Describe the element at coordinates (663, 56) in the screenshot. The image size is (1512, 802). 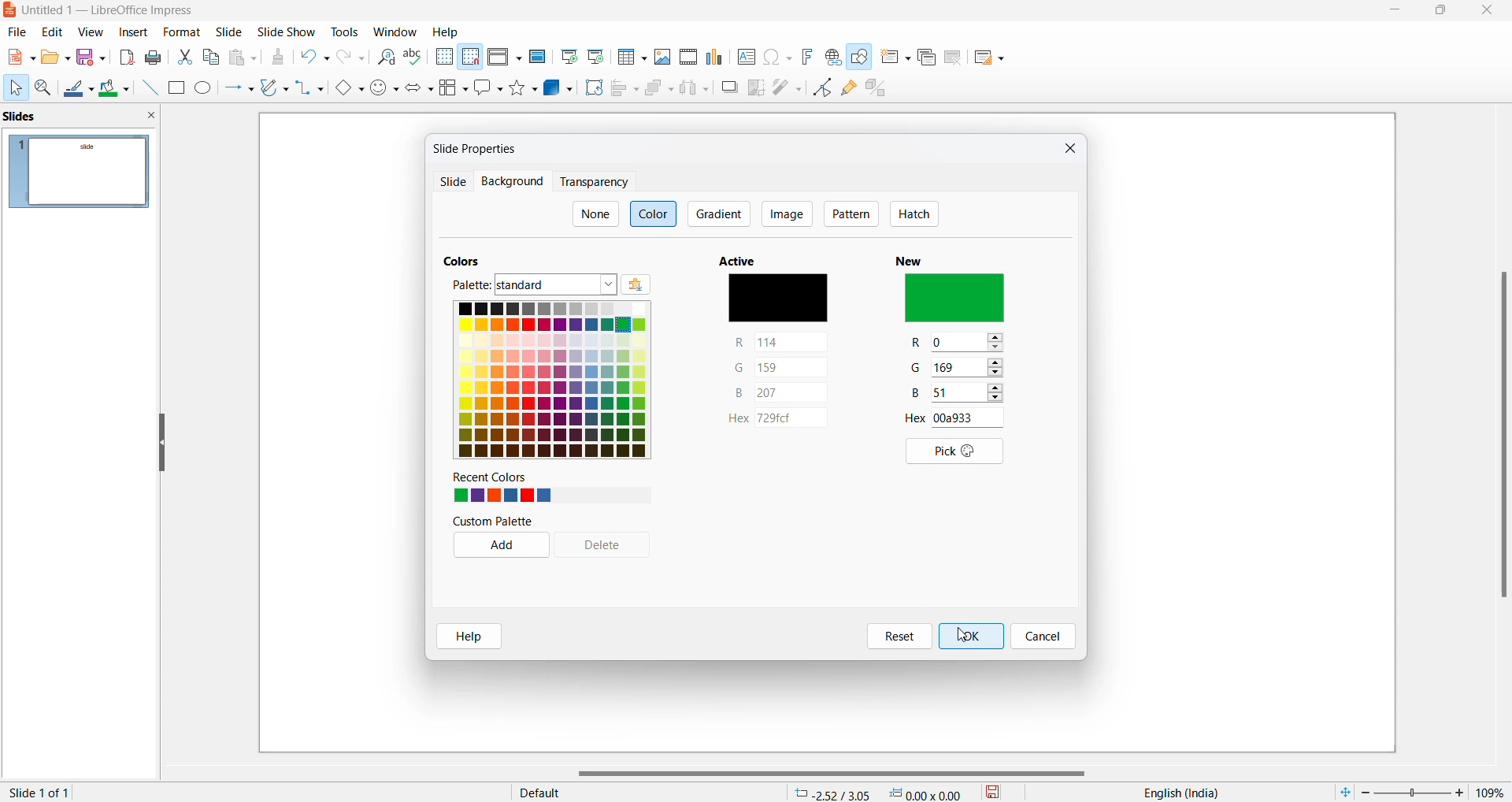
I see `insert image` at that location.